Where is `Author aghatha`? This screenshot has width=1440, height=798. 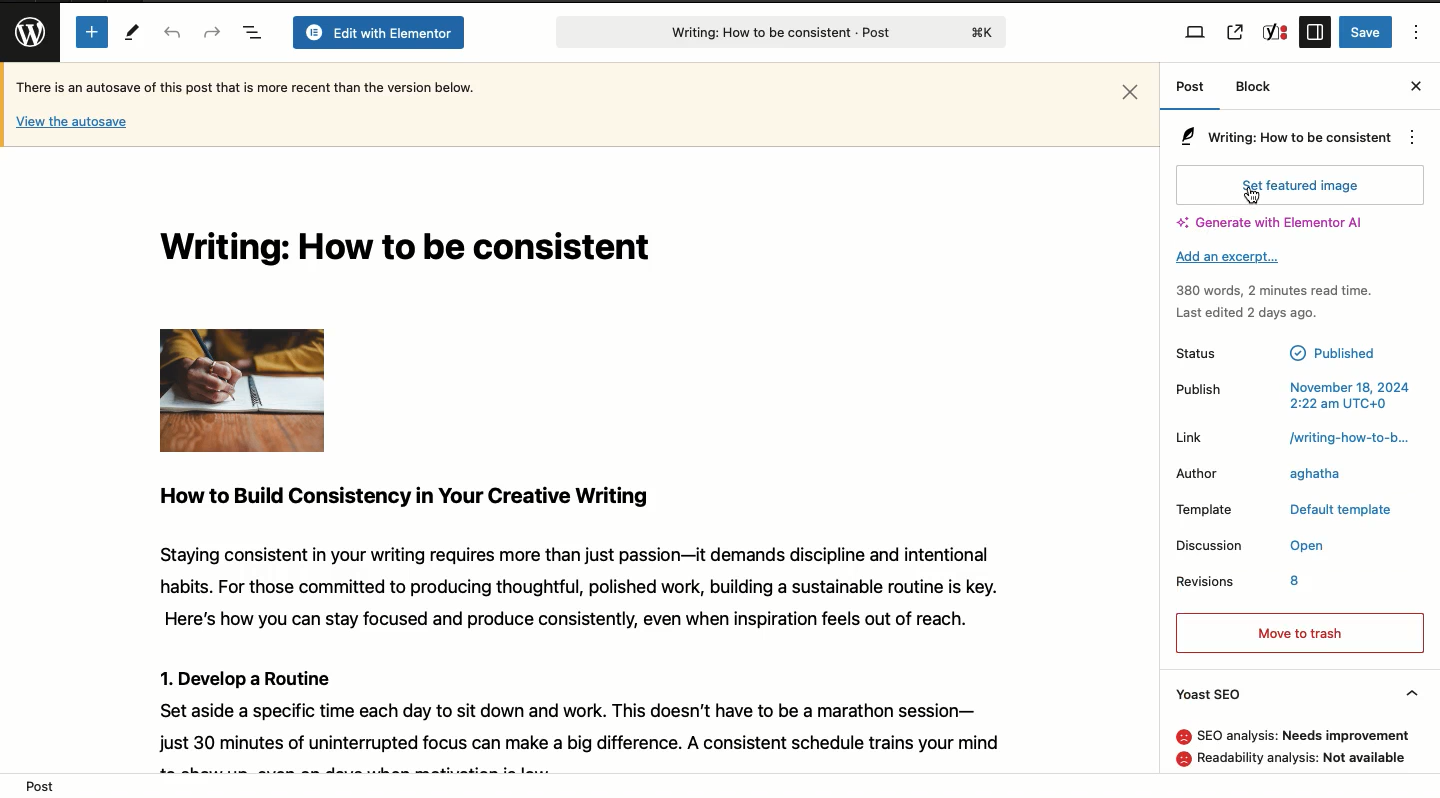
Author aghatha is located at coordinates (1260, 474).